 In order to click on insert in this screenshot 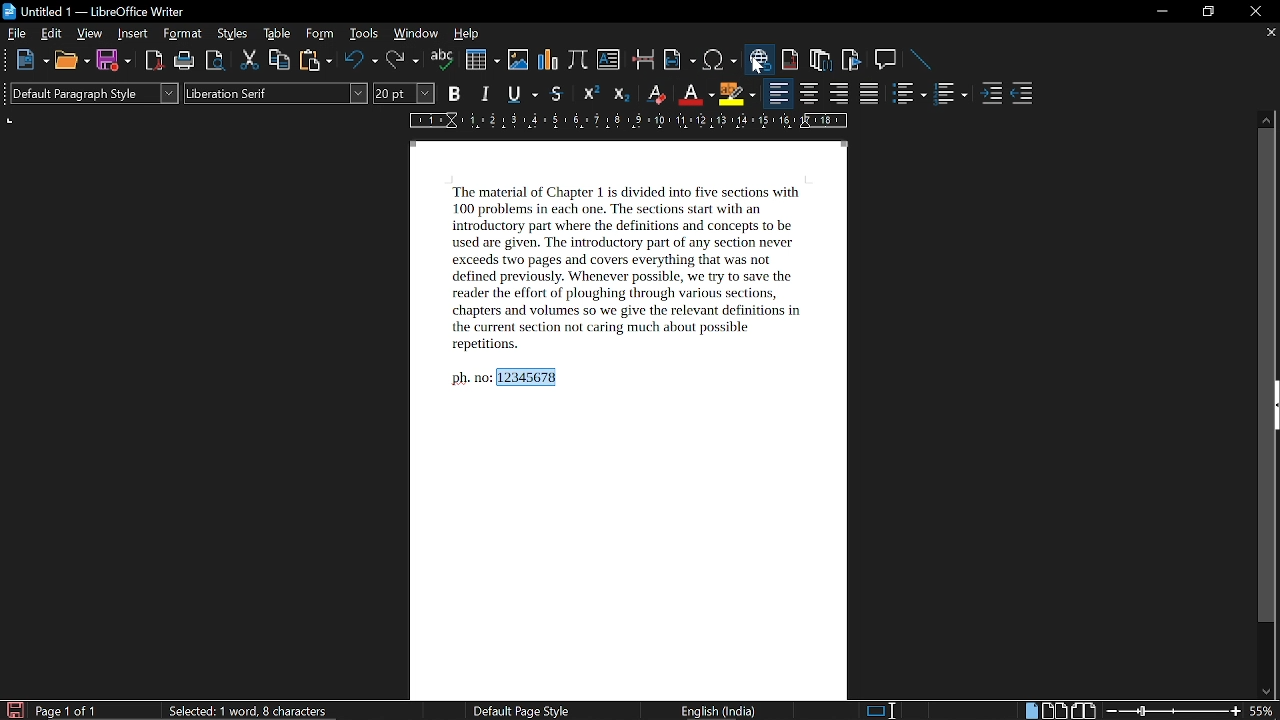, I will do `click(130, 34)`.